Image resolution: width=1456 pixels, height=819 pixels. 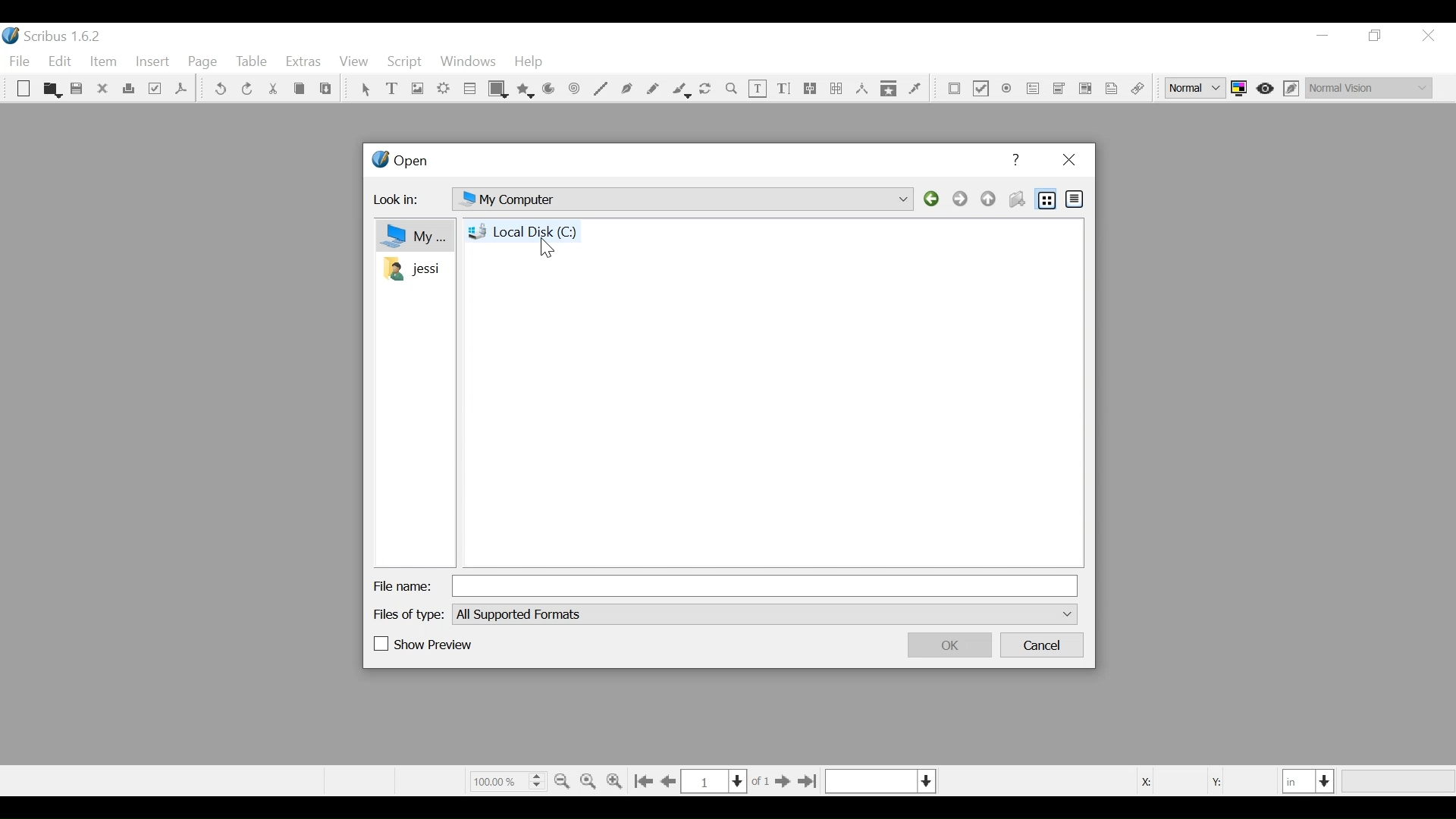 What do you see at coordinates (444, 90) in the screenshot?
I see `Render` at bounding box center [444, 90].